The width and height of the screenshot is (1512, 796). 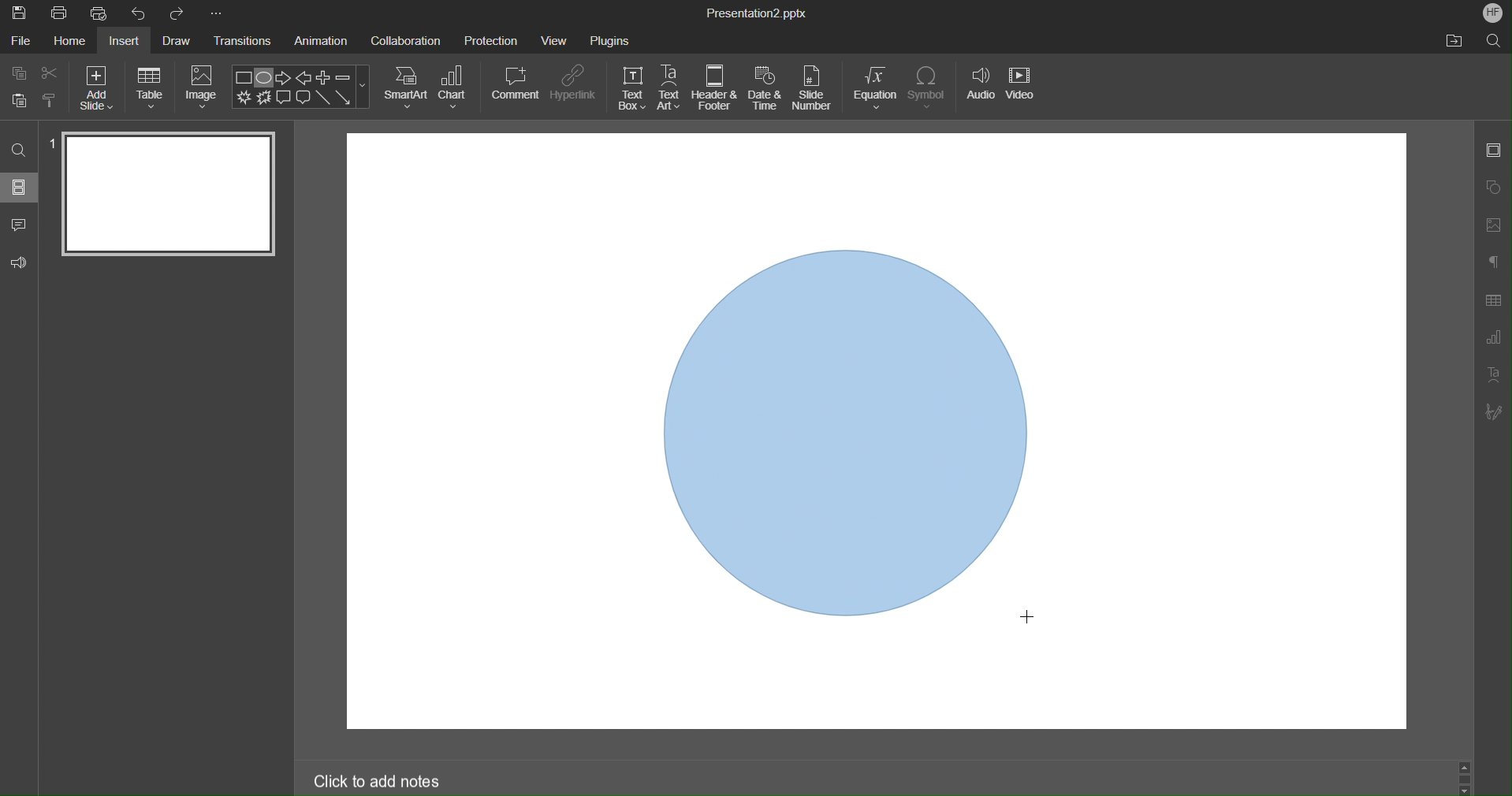 What do you see at coordinates (855, 685) in the screenshot?
I see `workspace` at bounding box center [855, 685].